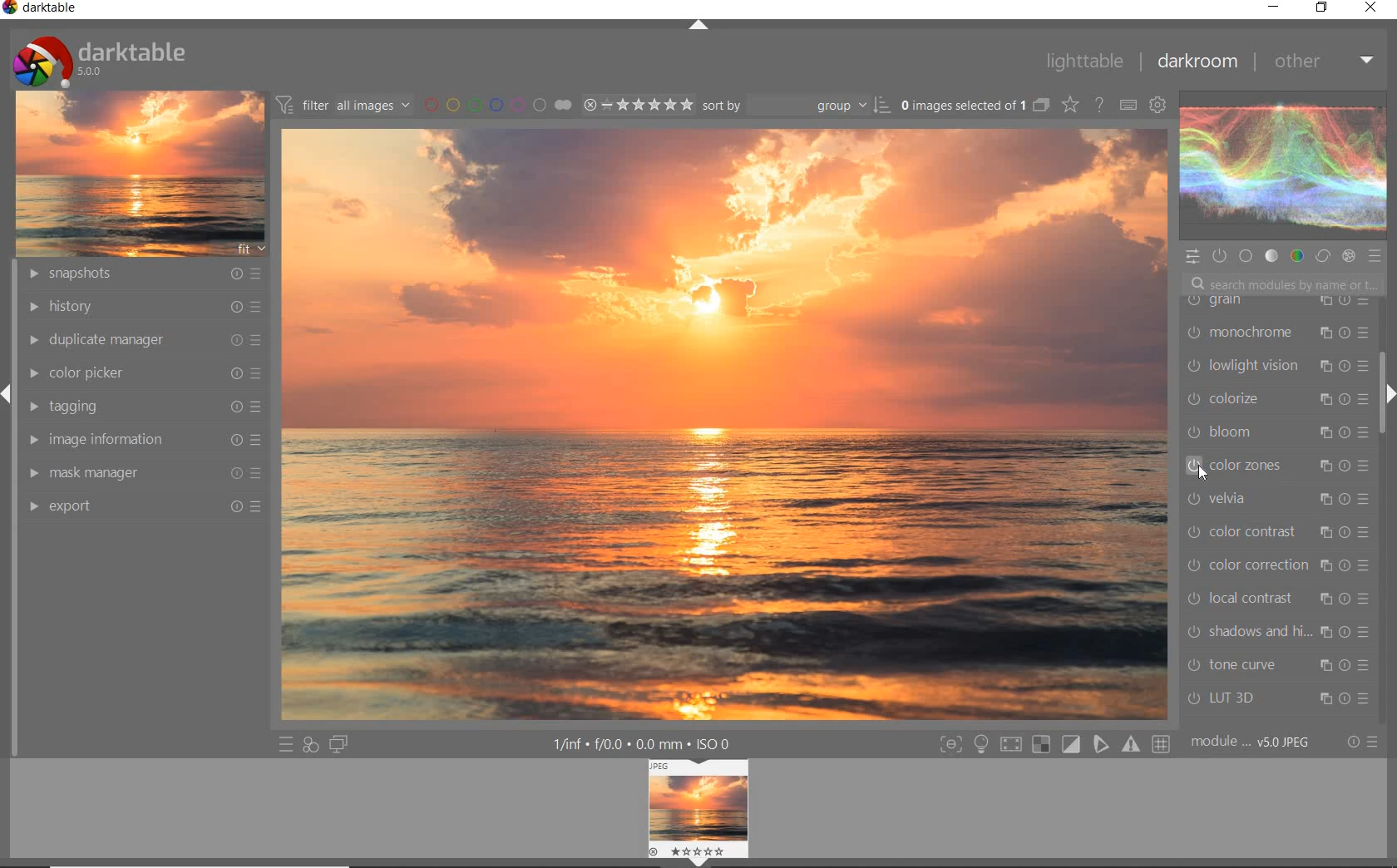  Describe the element at coordinates (1326, 65) in the screenshot. I see `other` at that location.